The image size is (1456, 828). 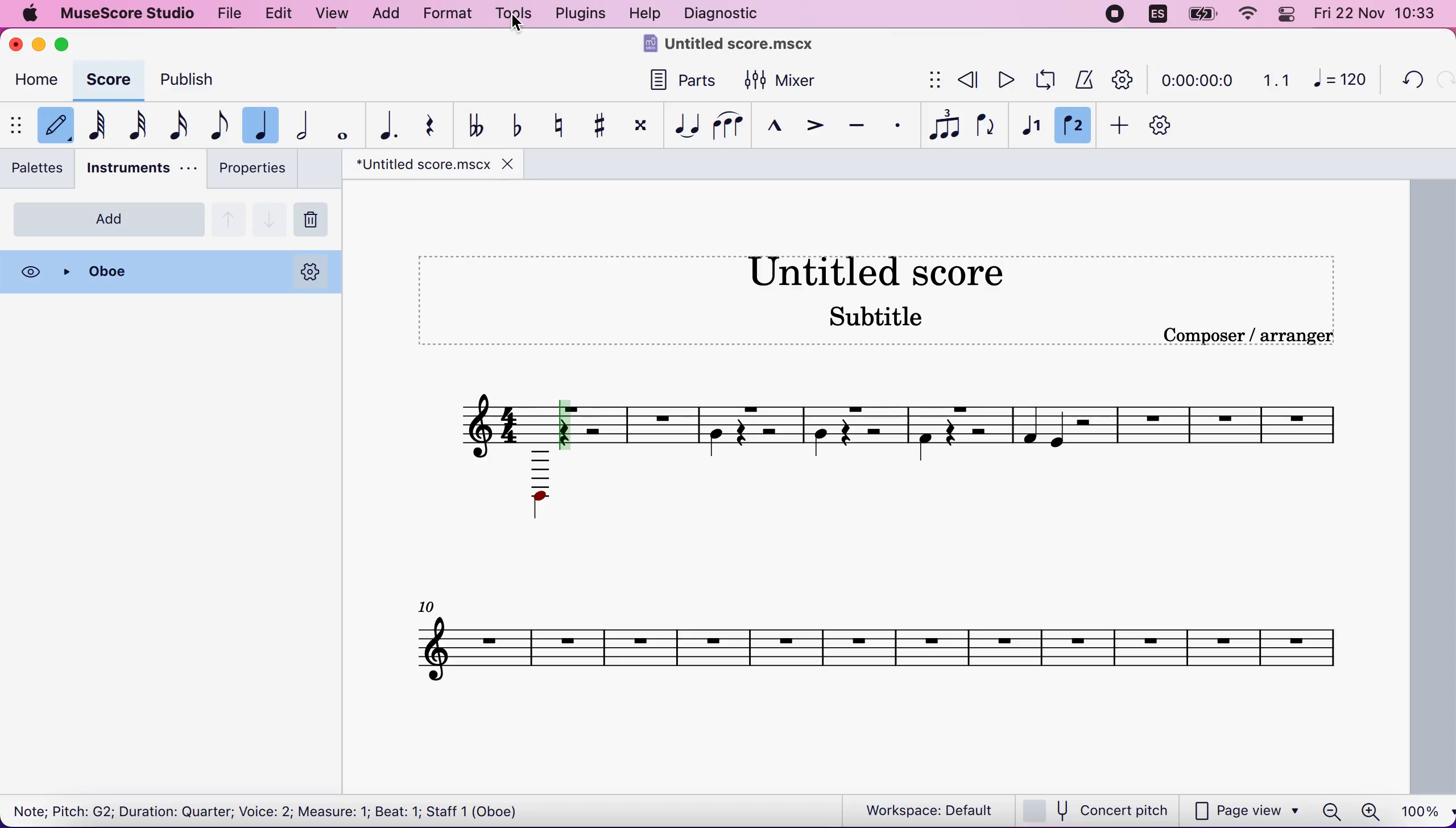 What do you see at coordinates (917, 809) in the screenshot?
I see `workspace: default` at bounding box center [917, 809].